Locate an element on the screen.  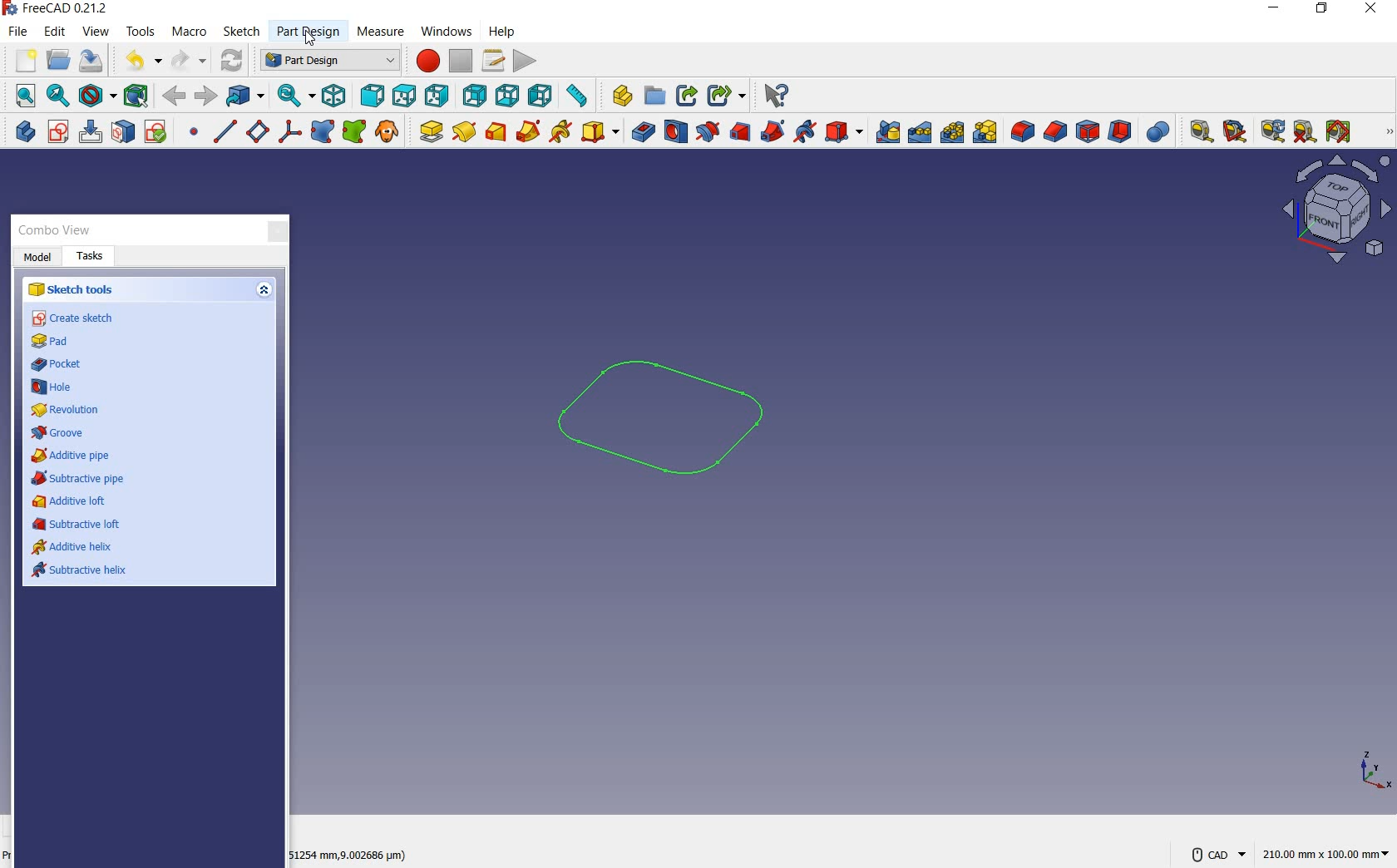
221.93mm x 100.00mm is located at coordinates (1325, 853).